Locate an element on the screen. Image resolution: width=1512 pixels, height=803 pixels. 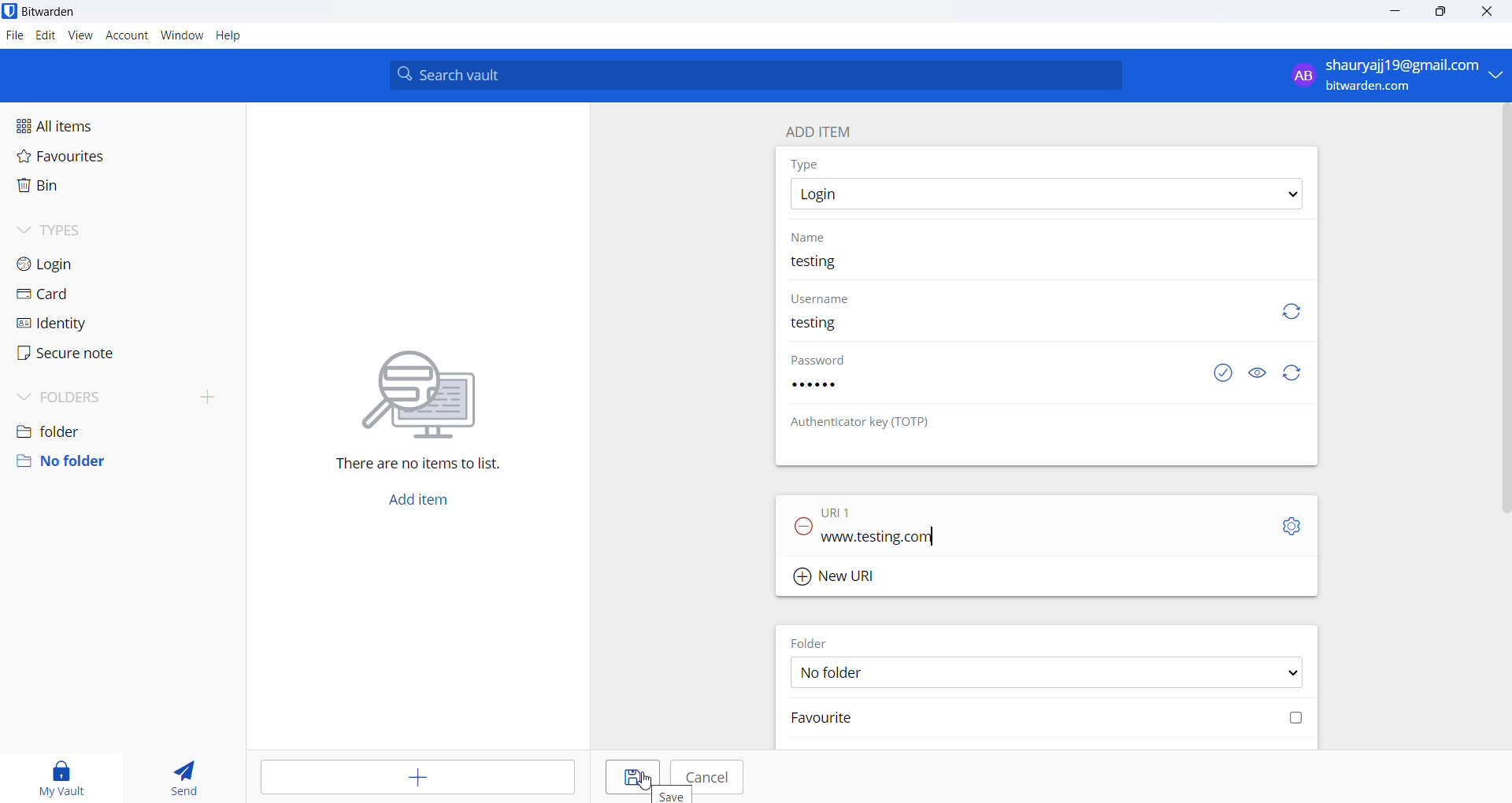
OTP heading: Authenticator key (TOTP) is located at coordinates (865, 422).